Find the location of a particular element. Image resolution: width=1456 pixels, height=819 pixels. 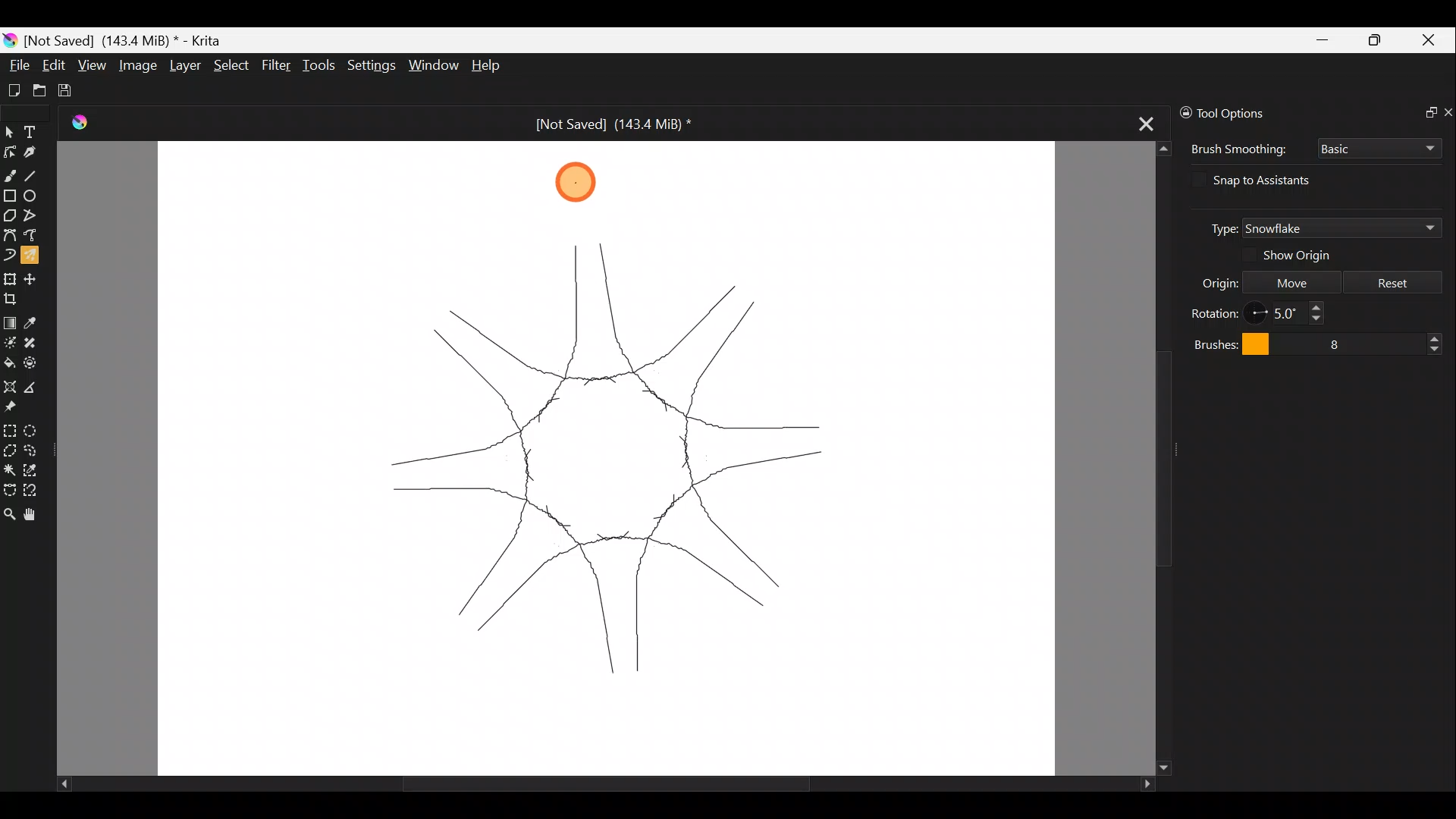

Pan tool is located at coordinates (35, 516).